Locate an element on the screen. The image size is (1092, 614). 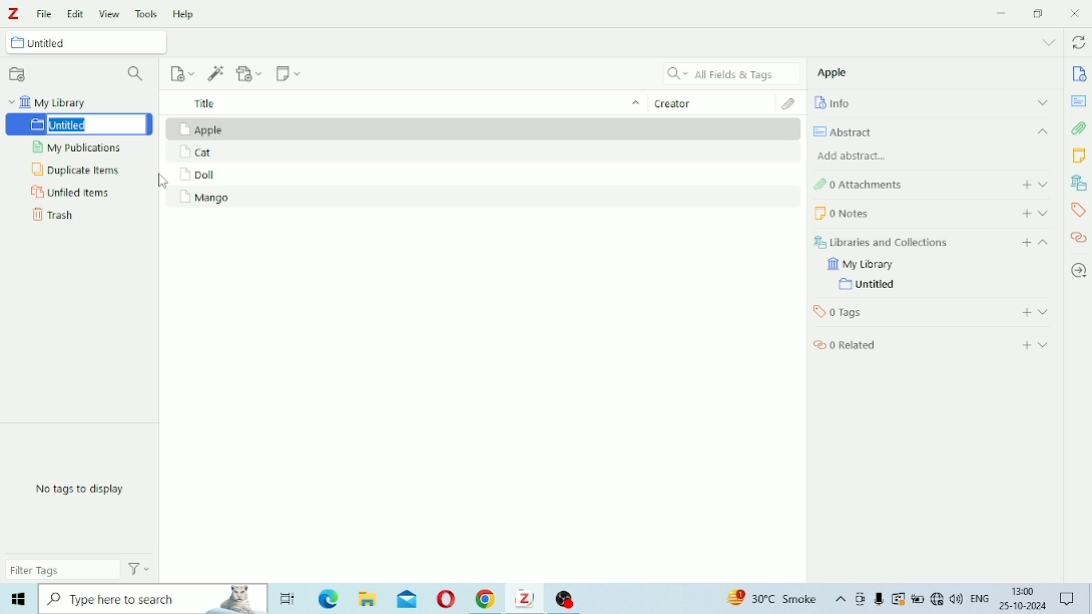
Collapse section is located at coordinates (1044, 243).